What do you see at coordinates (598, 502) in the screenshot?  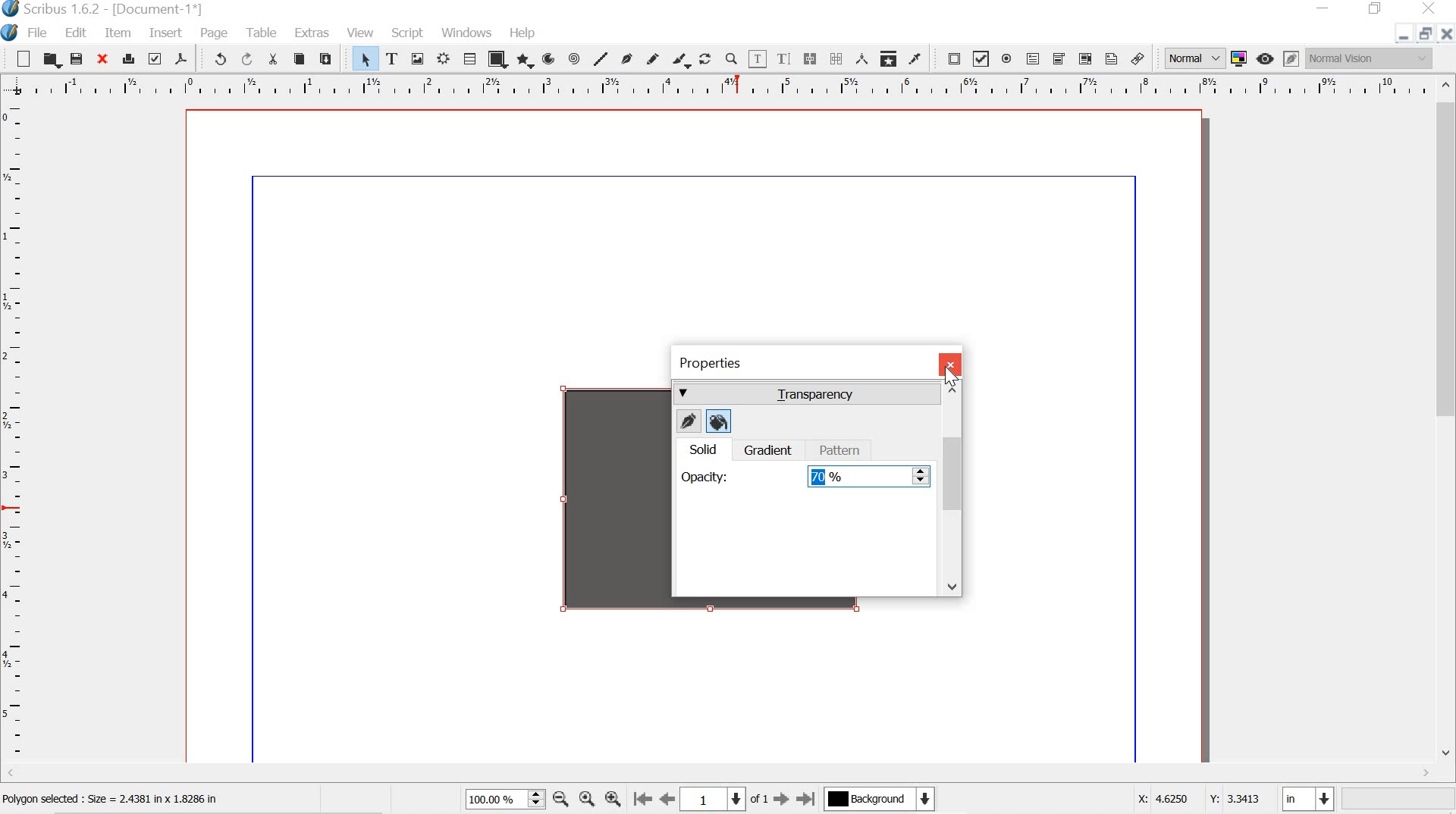 I see `black polygon` at bounding box center [598, 502].